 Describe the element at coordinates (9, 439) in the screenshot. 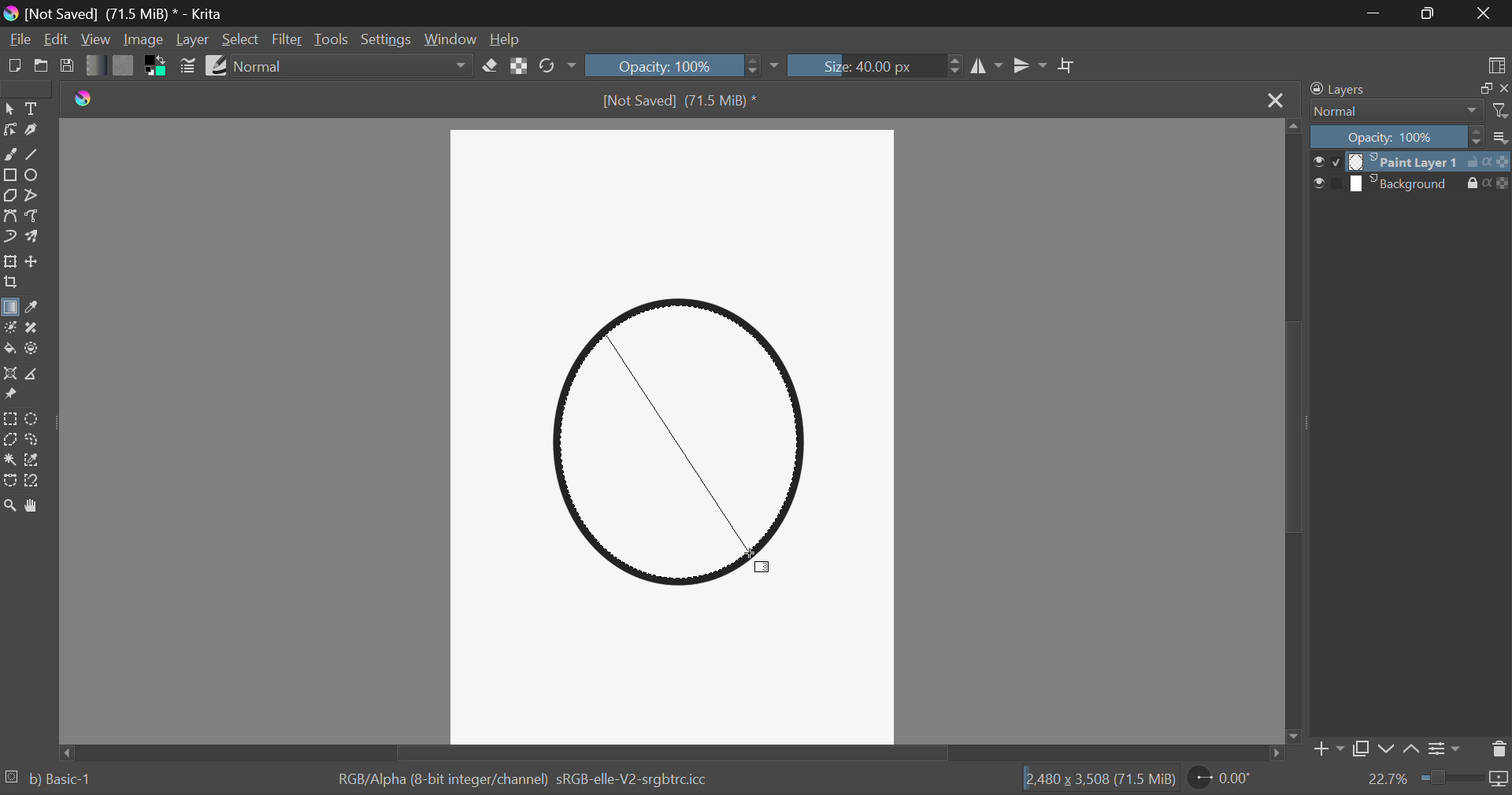

I see `Polygon Selection Tool` at that location.